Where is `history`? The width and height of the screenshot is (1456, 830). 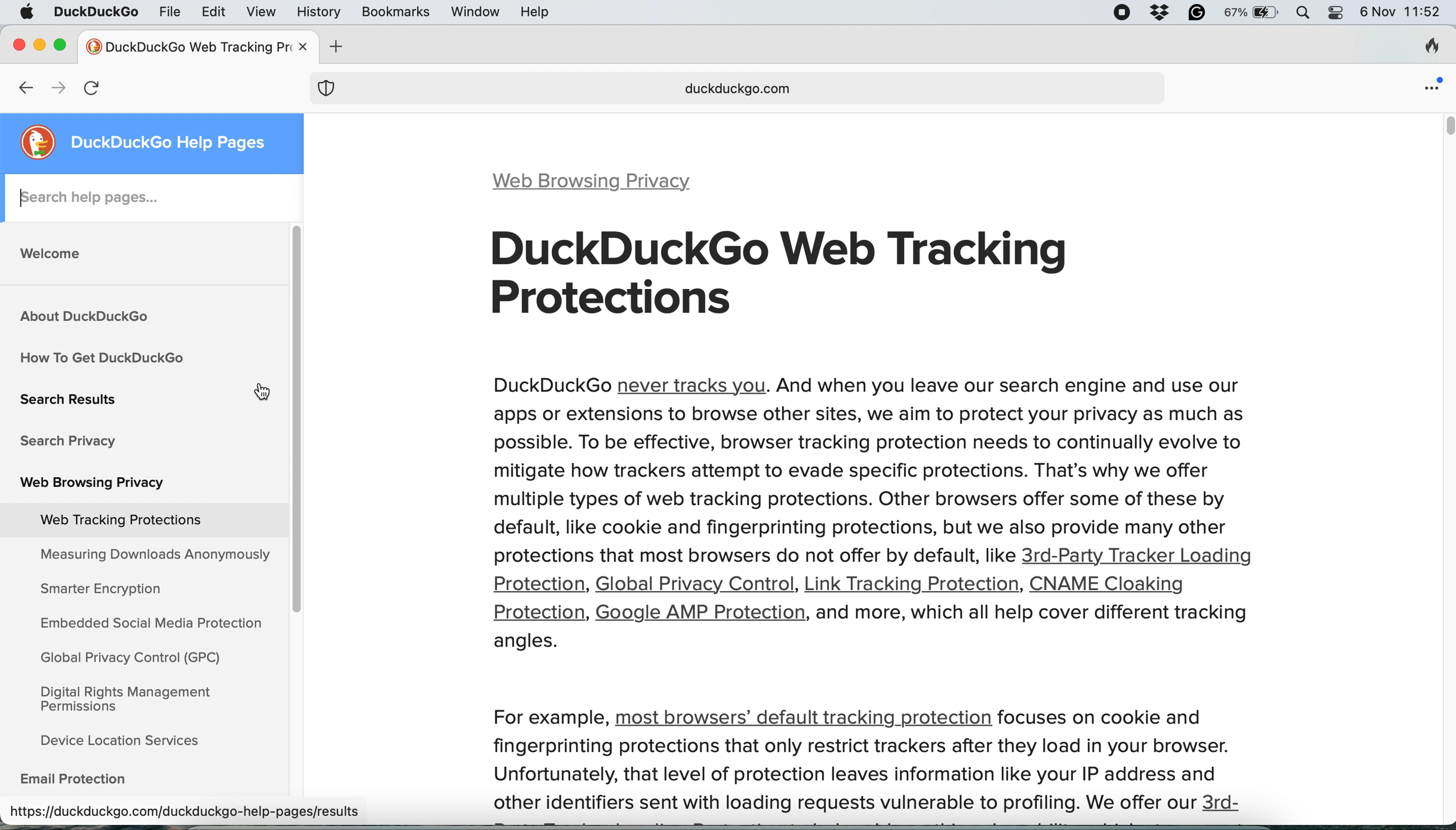 history is located at coordinates (317, 12).